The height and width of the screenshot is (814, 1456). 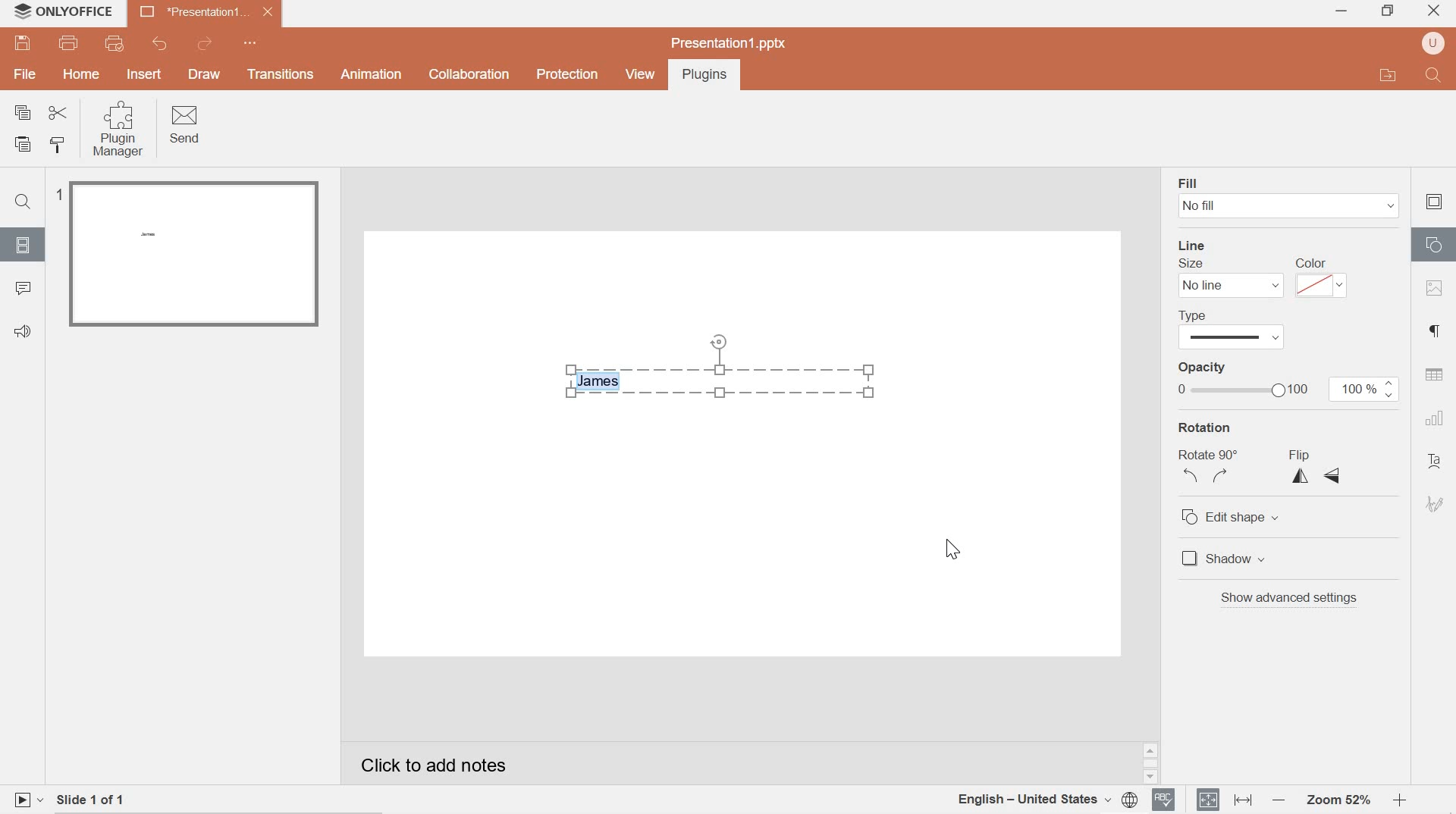 I want to click on cursor, so click(x=951, y=552).